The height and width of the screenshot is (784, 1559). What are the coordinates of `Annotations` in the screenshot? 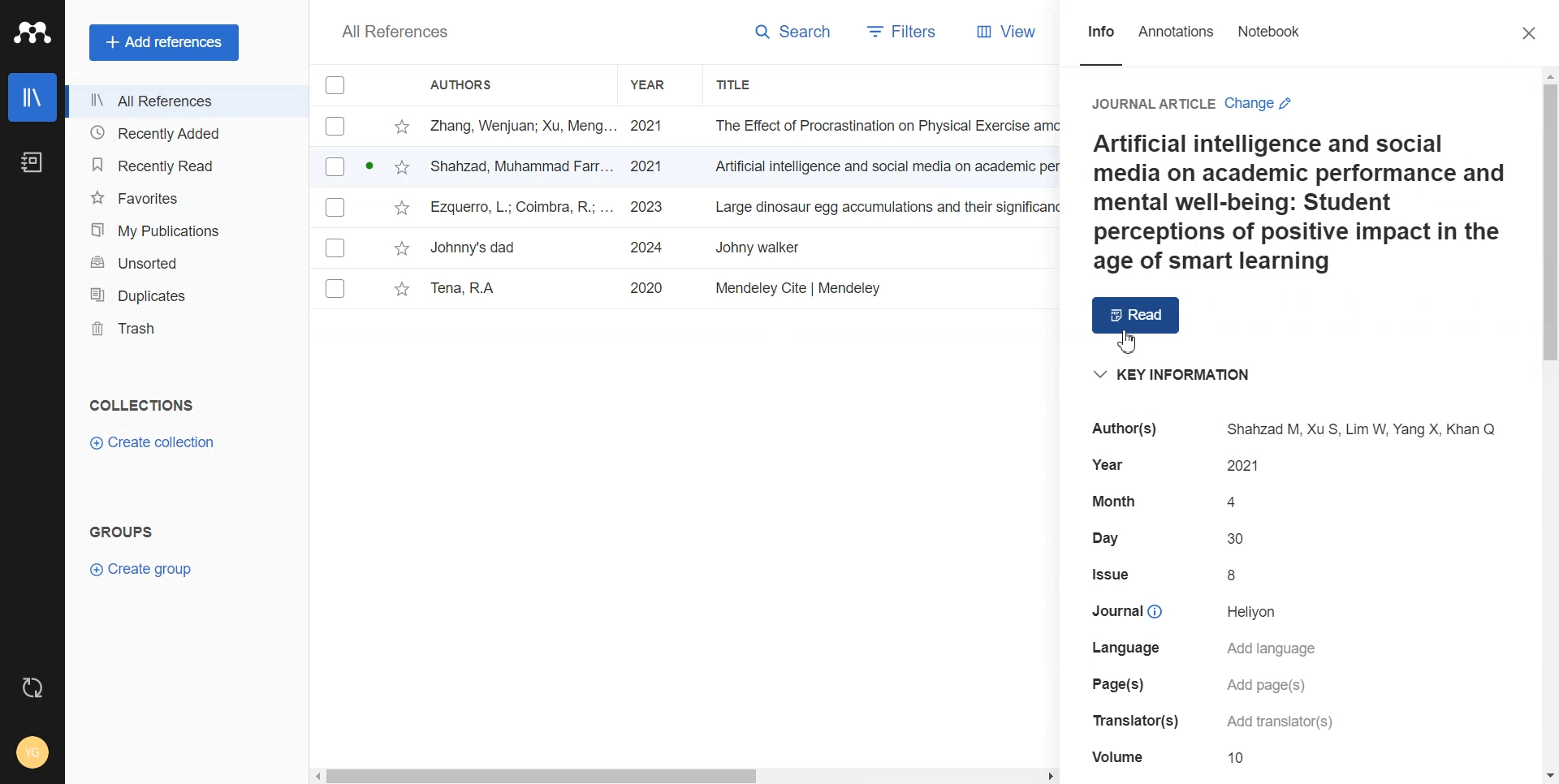 It's located at (1177, 42).